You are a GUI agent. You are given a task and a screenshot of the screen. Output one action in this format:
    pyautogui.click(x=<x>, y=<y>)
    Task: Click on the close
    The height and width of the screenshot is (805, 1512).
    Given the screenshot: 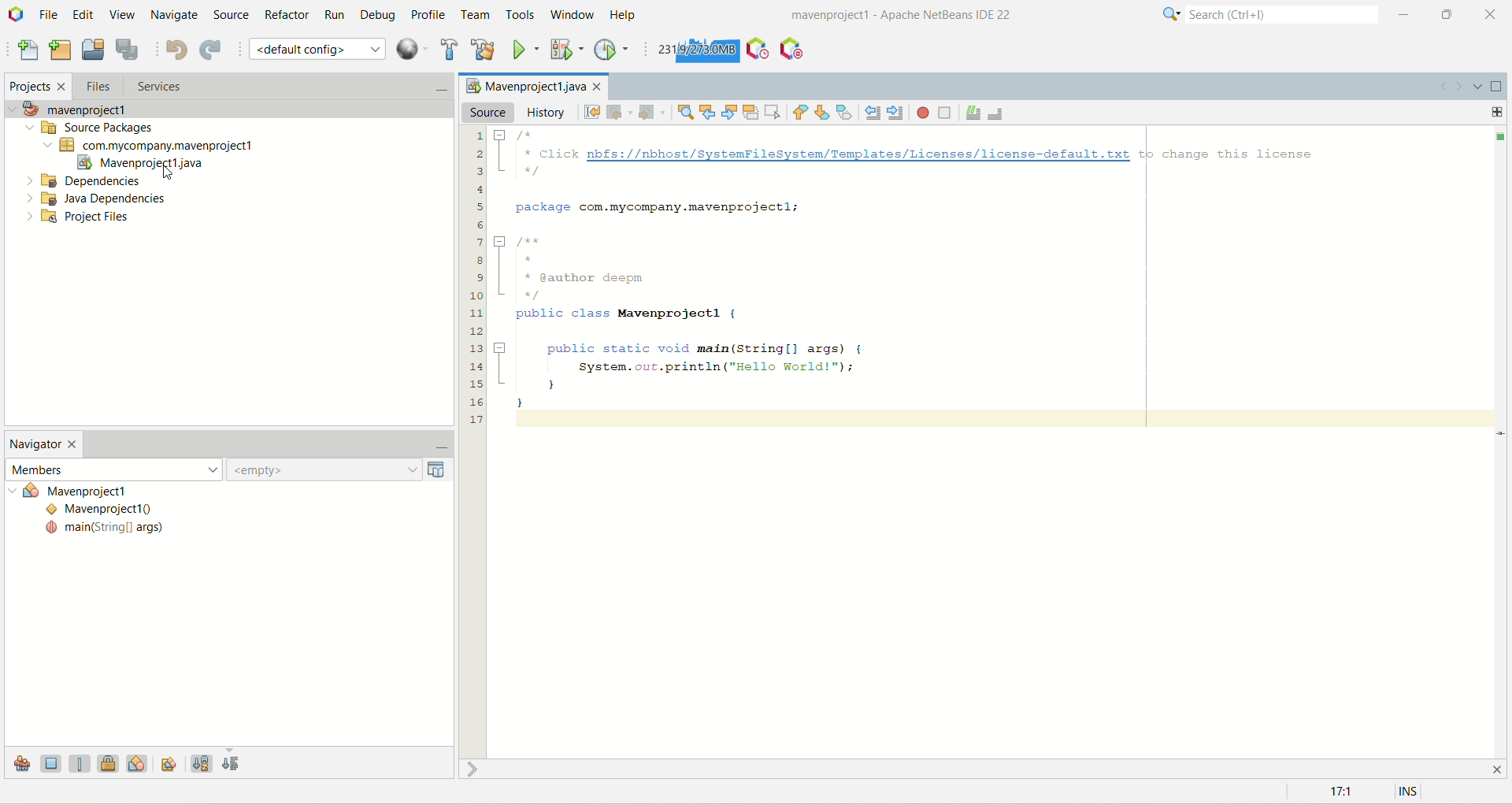 What is the action you would take?
    pyautogui.click(x=1494, y=13)
    